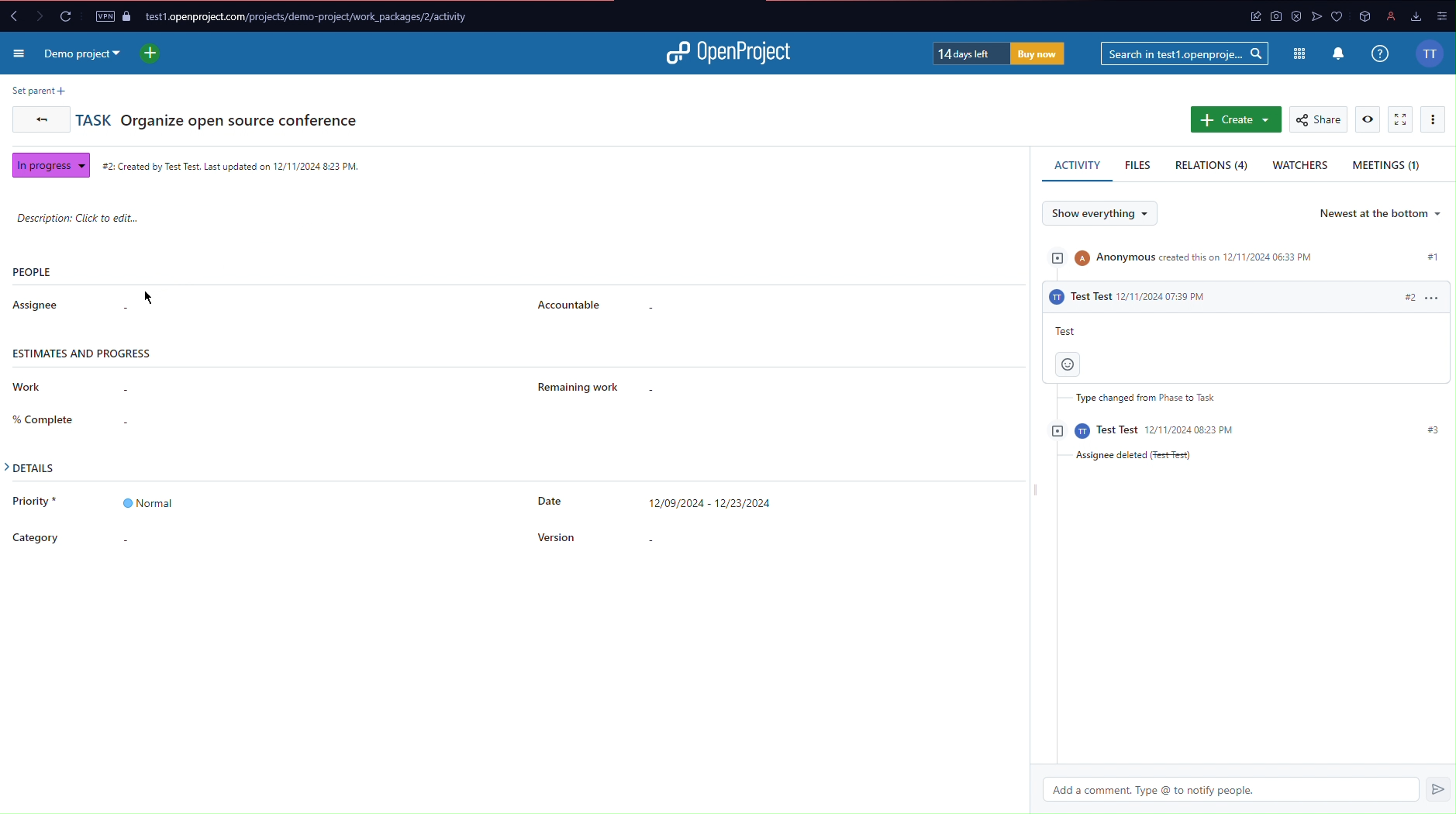 The height and width of the screenshot is (814, 1456). I want to click on cursor, so click(162, 301).